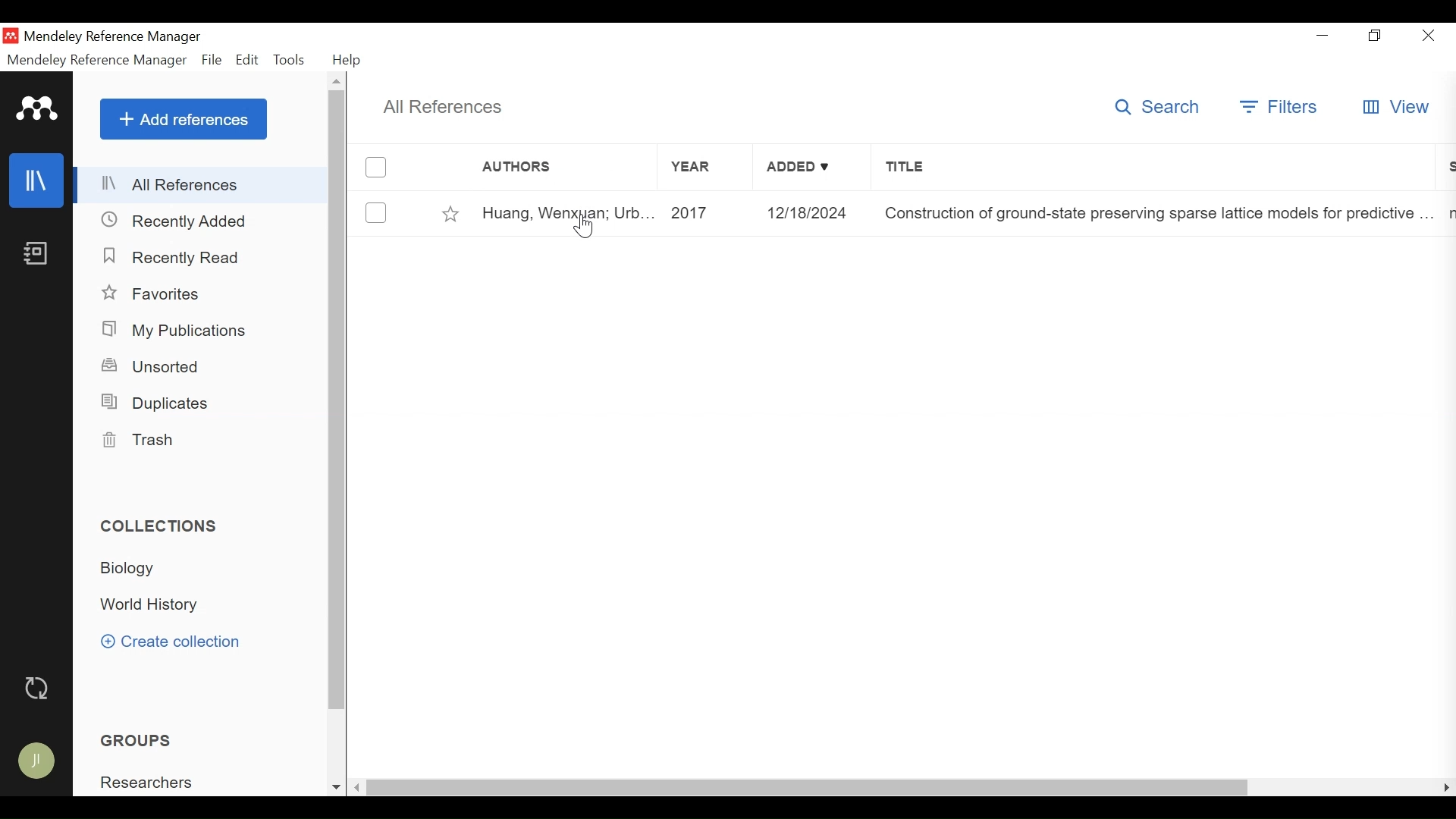 This screenshot has width=1456, height=819. What do you see at coordinates (36, 761) in the screenshot?
I see `Avatar` at bounding box center [36, 761].